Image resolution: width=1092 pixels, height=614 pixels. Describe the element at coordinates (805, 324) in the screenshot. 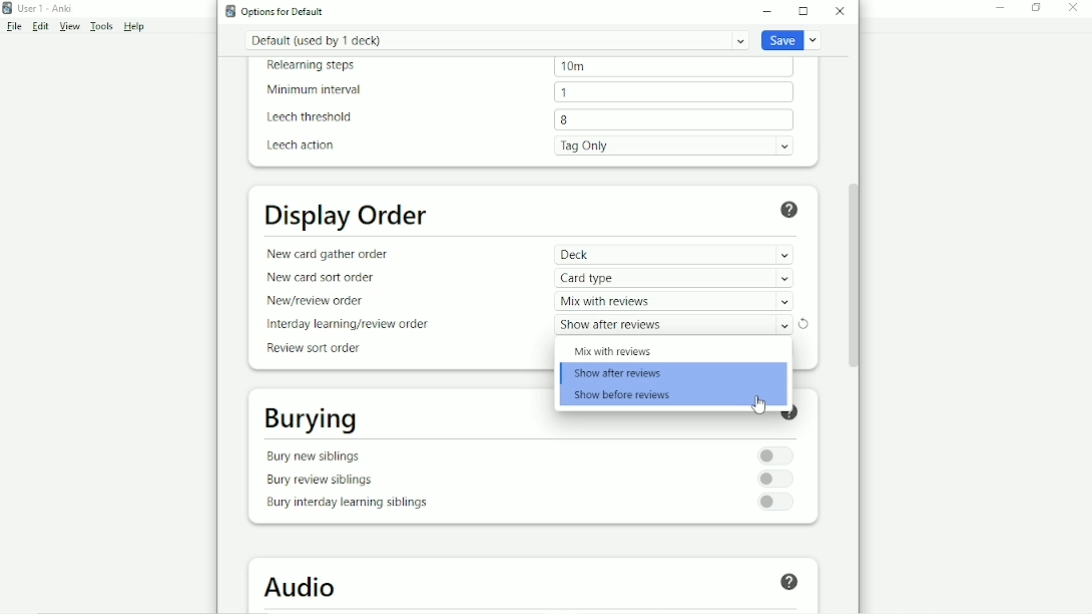

I see `Refresh` at that location.